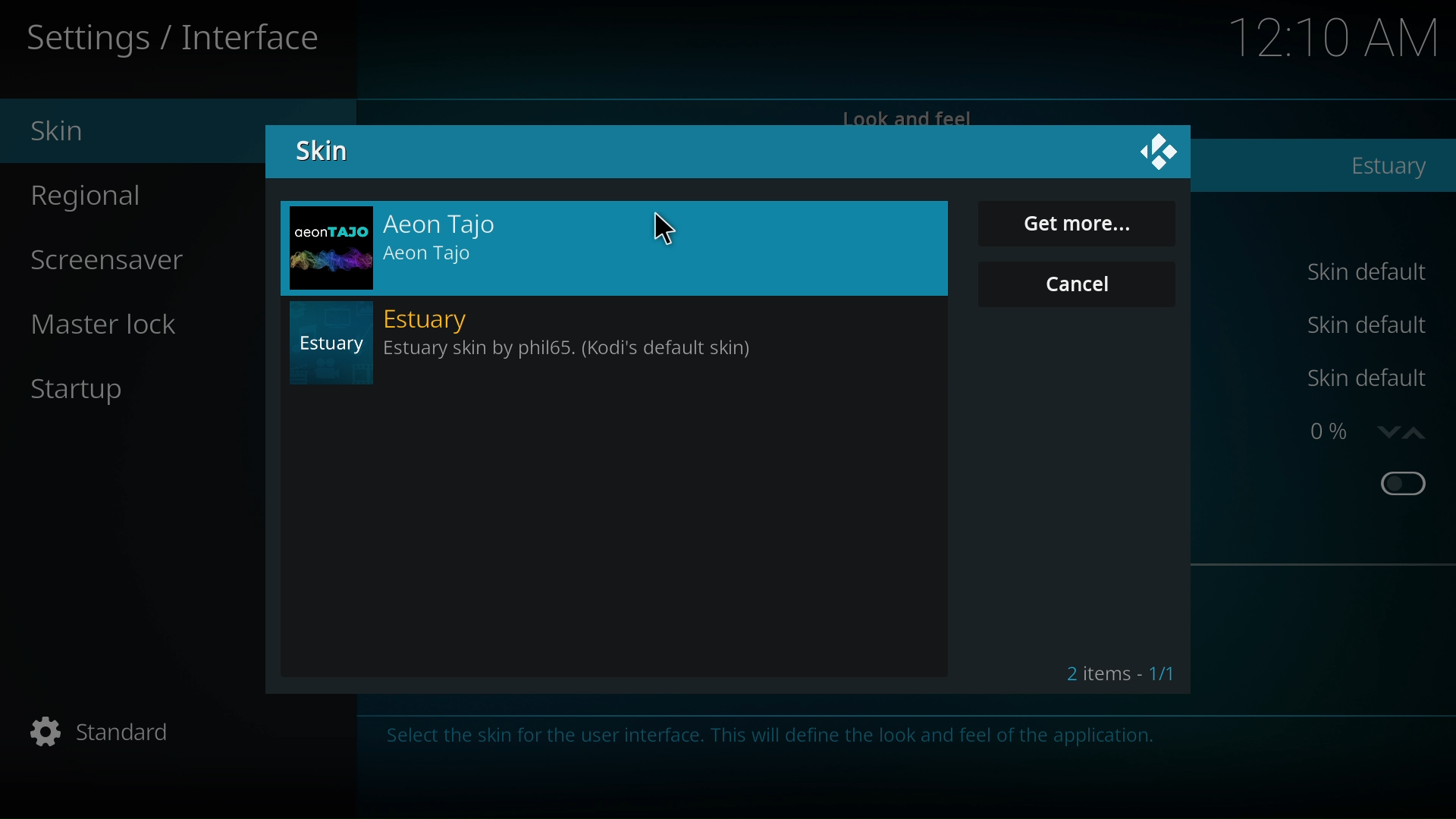 This screenshot has width=1456, height=819. What do you see at coordinates (1401, 482) in the screenshot?
I see `on/off` at bounding box center [1401, 482].